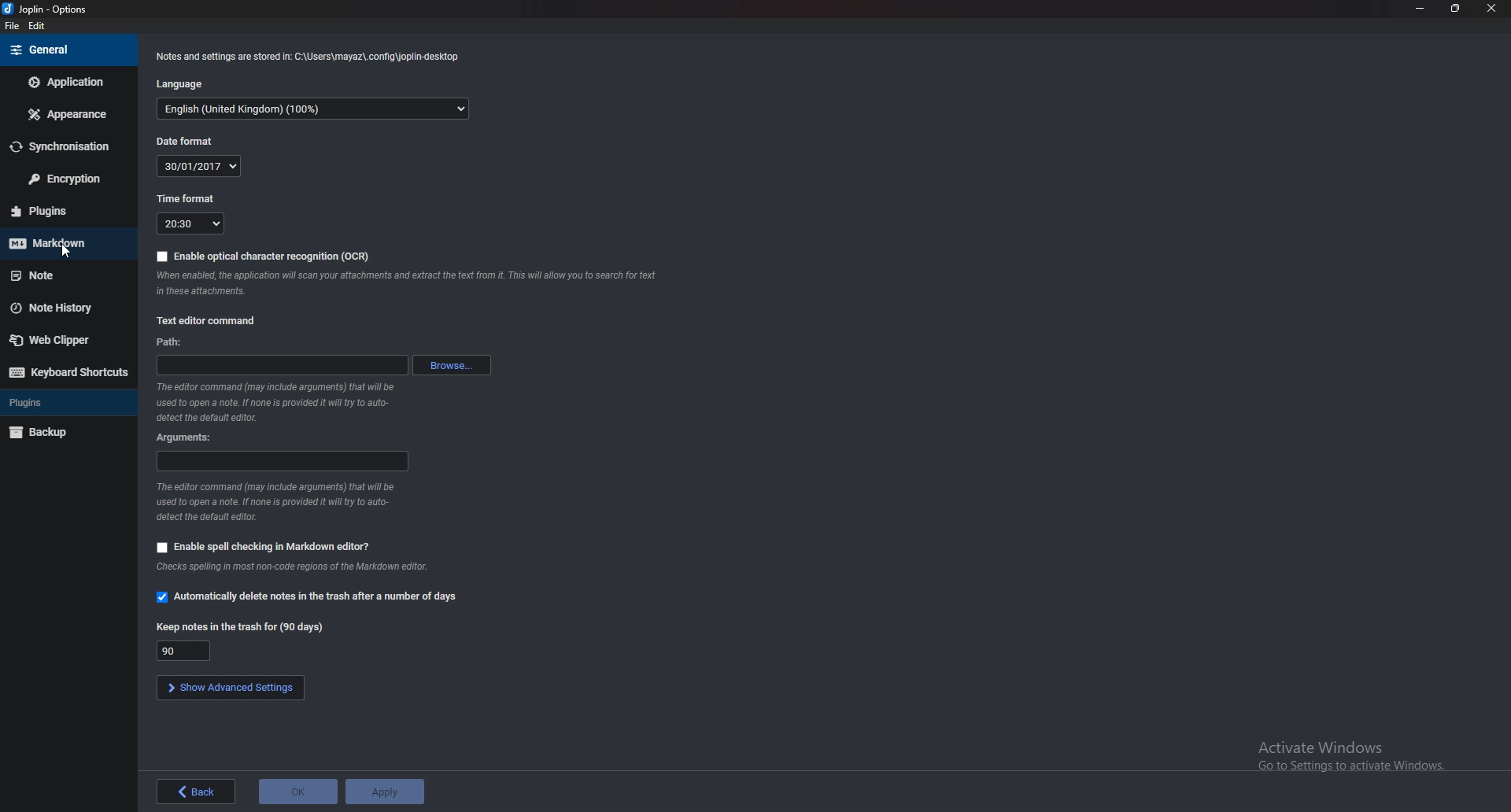  I want to click on 20:30, so click(192, 223).